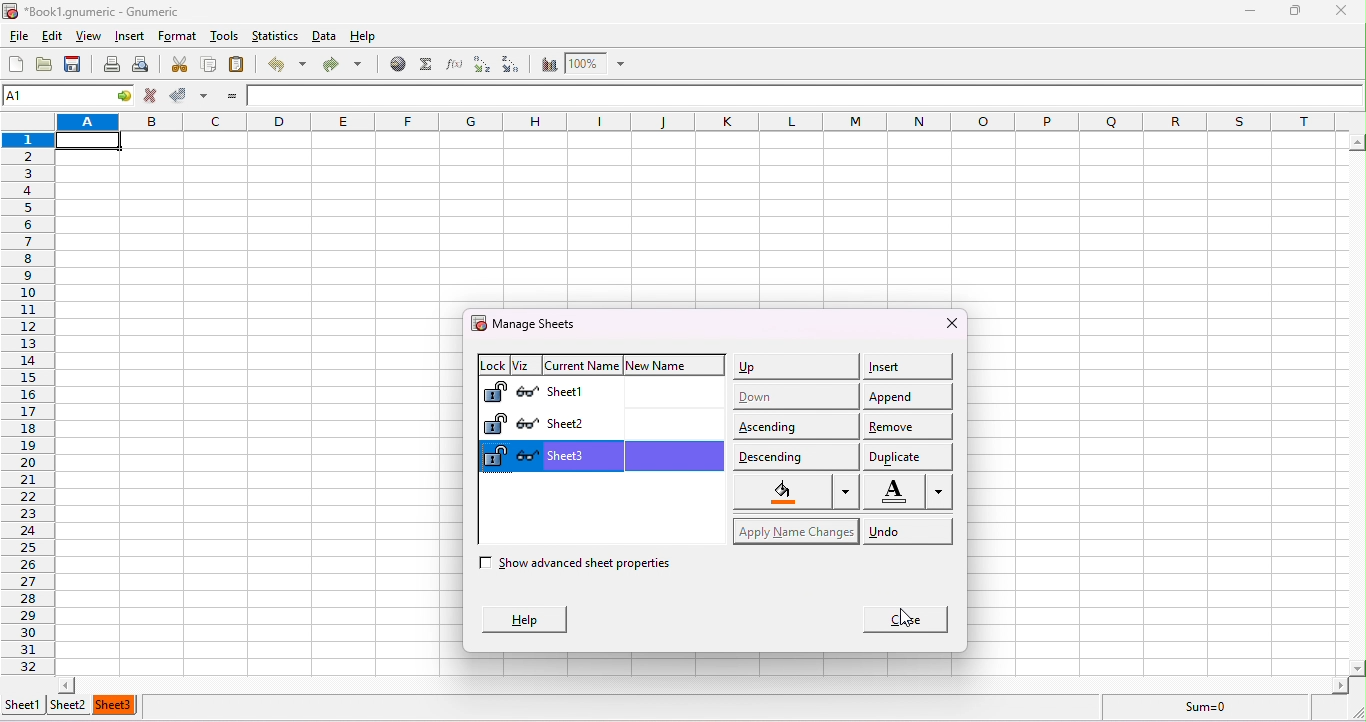  What do you see at coordinates (909, 616) in the screenshot?
I see `cursor` at bounding box center [909, 616].